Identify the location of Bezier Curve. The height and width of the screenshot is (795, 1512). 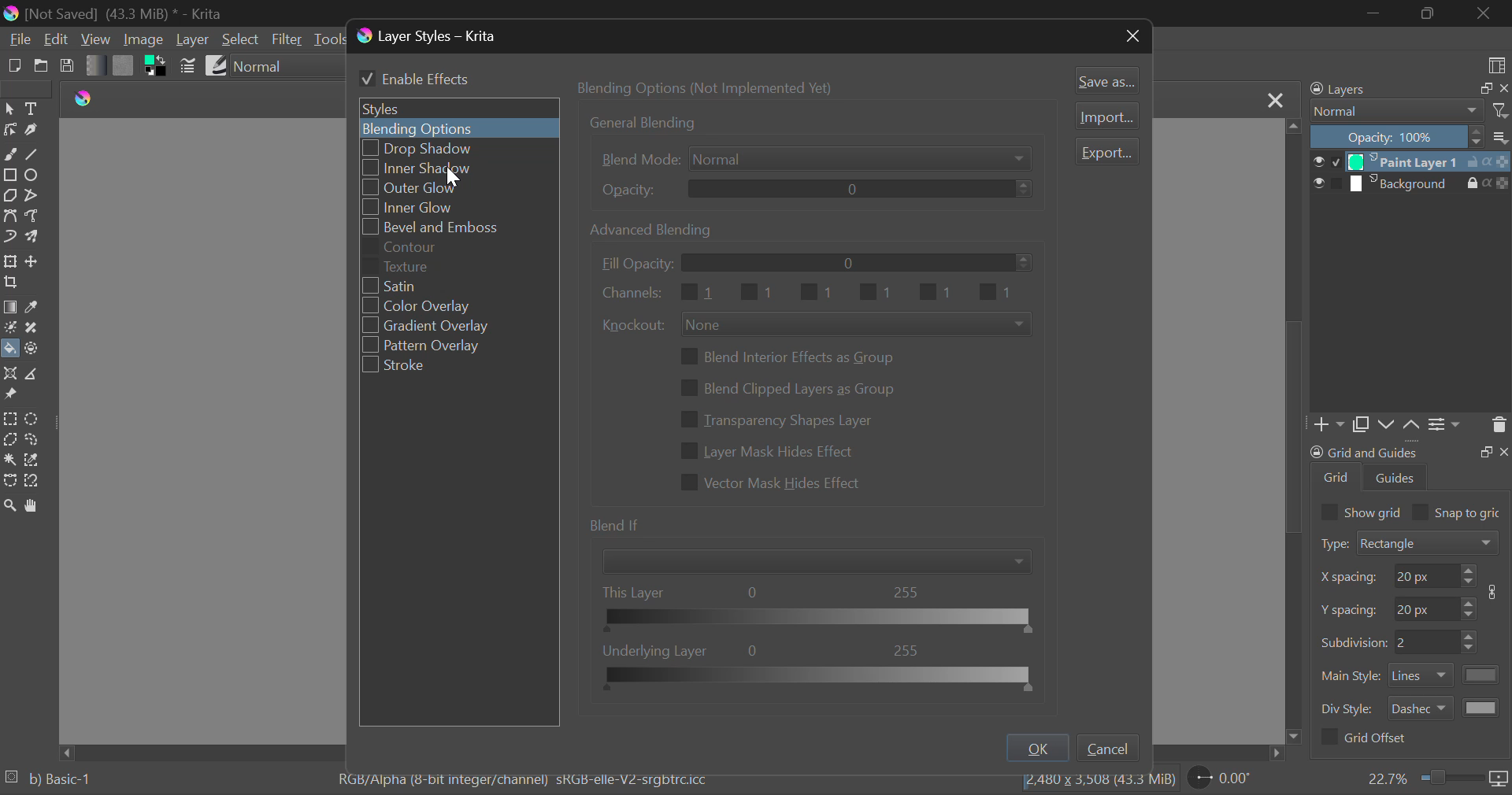
(10, 215).